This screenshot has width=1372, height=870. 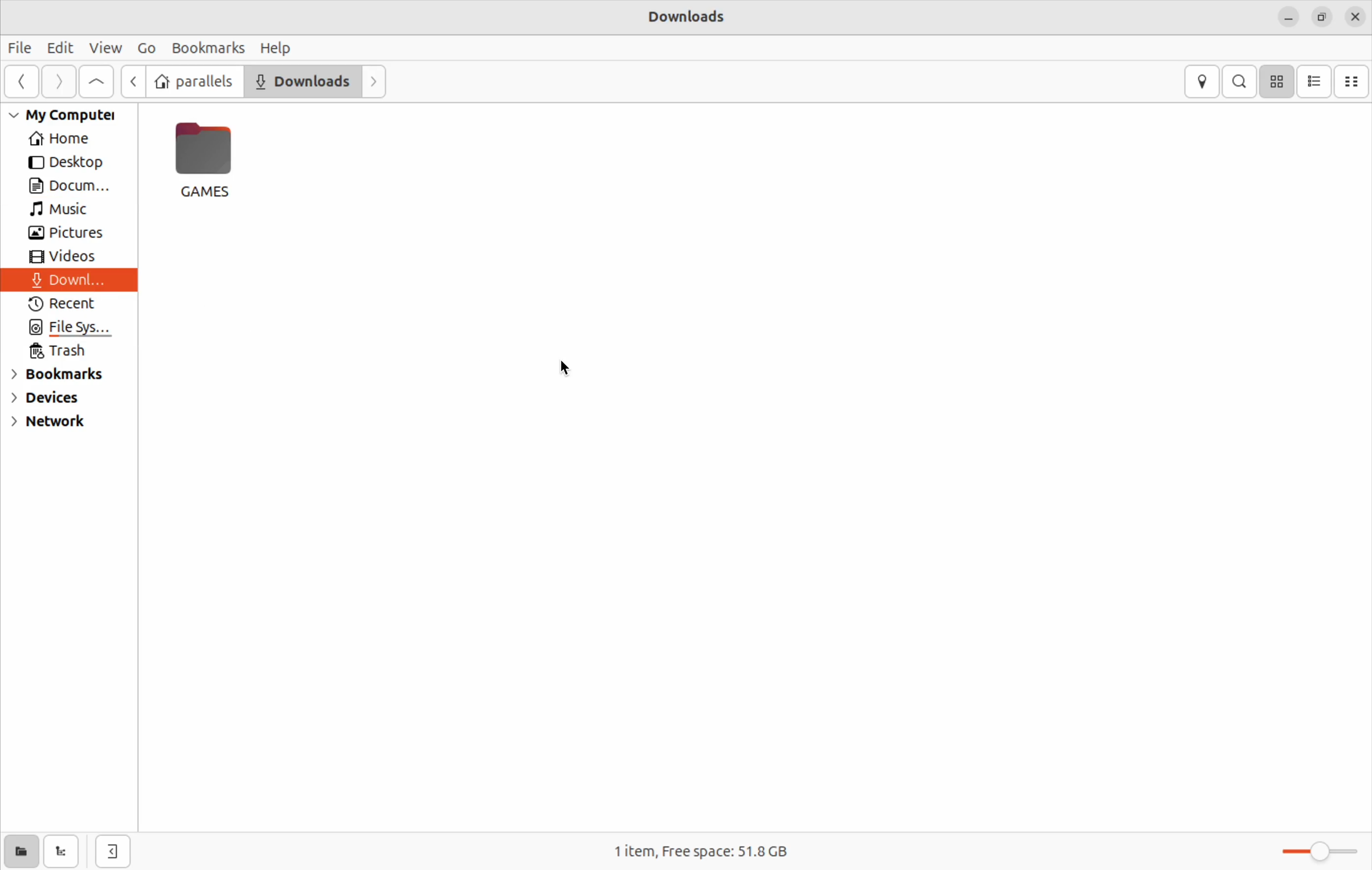 I want to click on location, so click(x=1202, y=80).